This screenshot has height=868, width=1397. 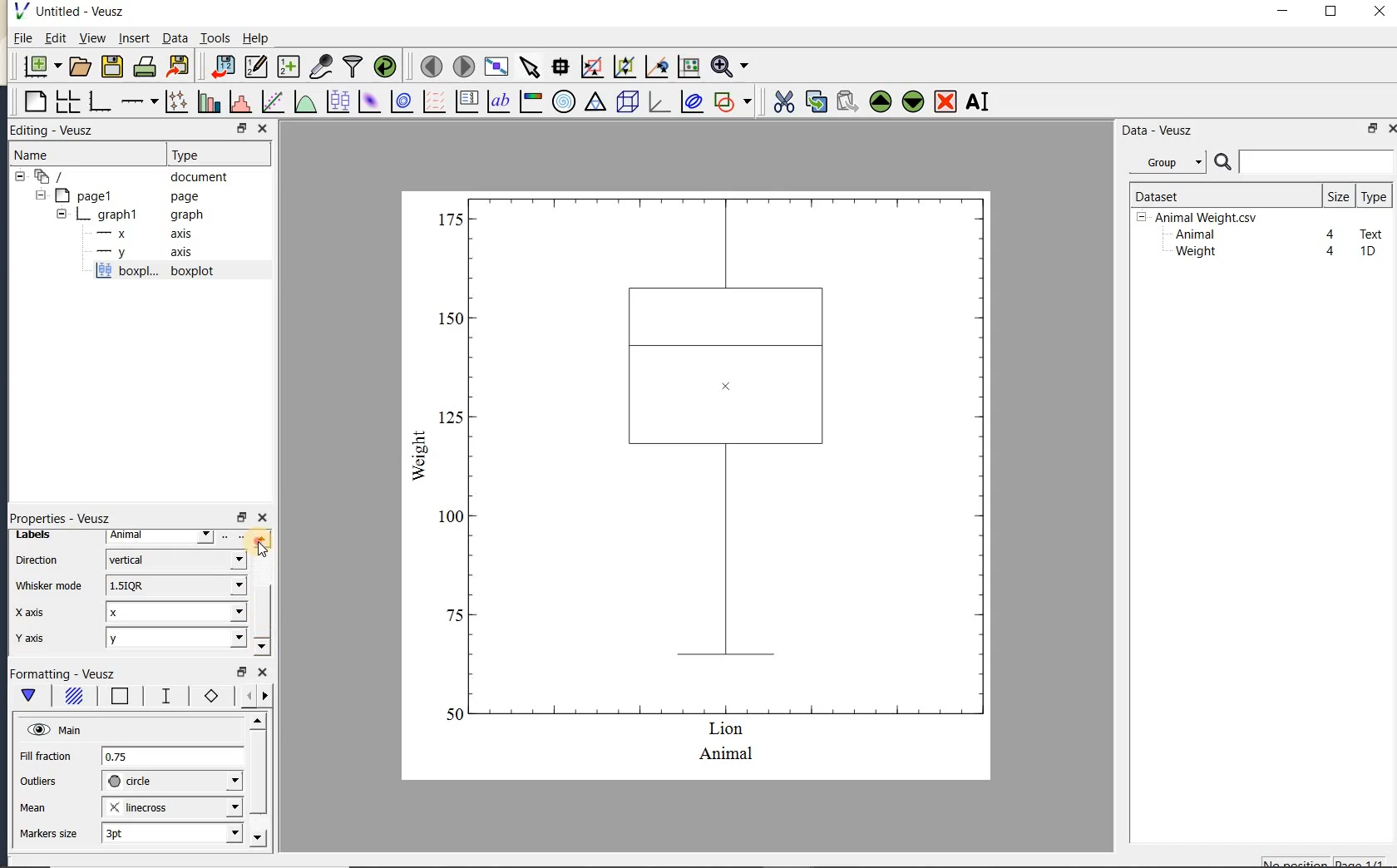 I want to click on plot a vector field, so click(x=432, y=102).